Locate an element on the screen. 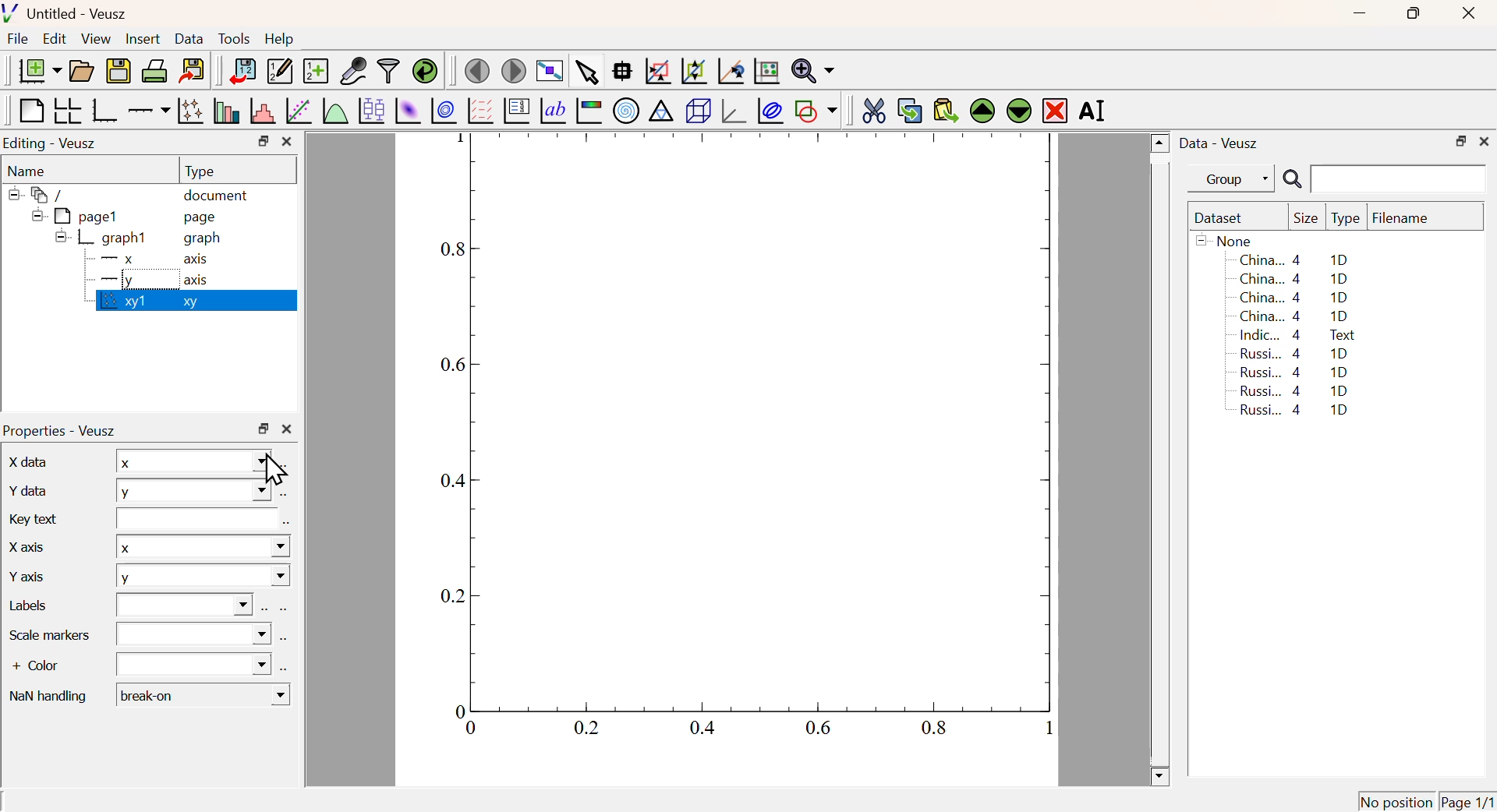 The width and height of the screenshot is (1497, 812). Name is located at coordinates (28, 171).